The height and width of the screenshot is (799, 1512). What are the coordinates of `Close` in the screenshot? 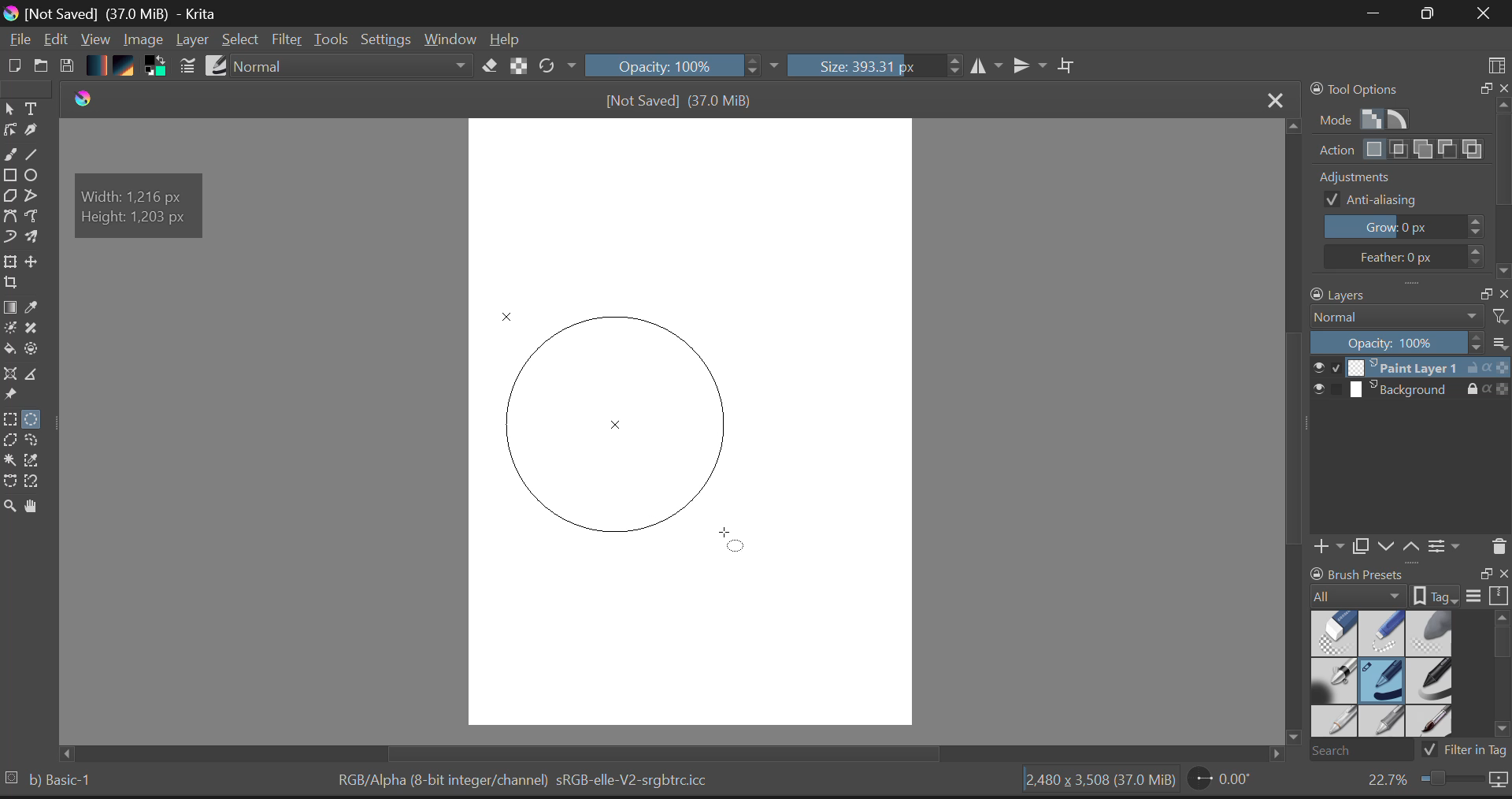 It's located at (1271, 98).